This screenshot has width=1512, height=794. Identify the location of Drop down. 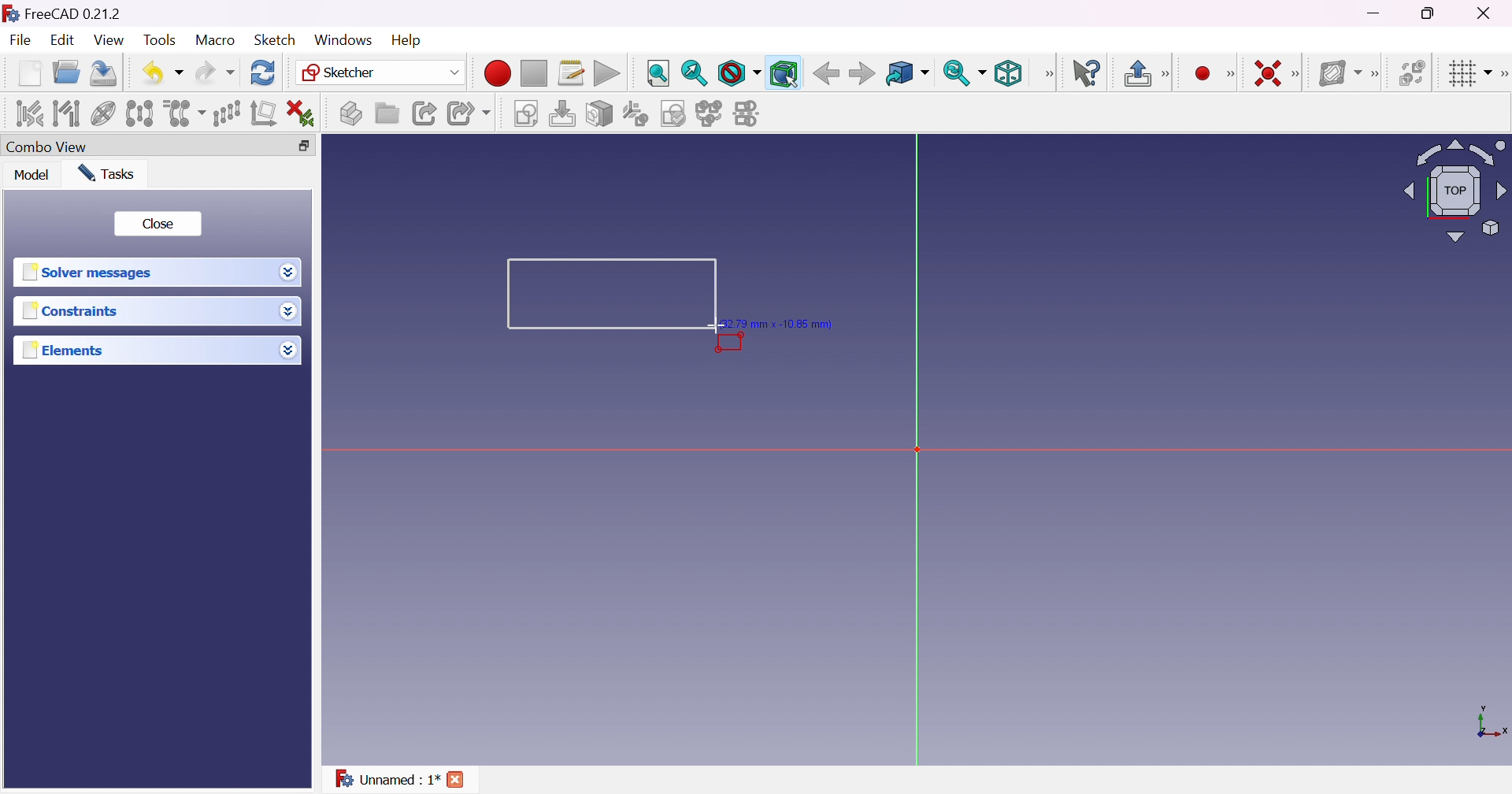
(289, 351).